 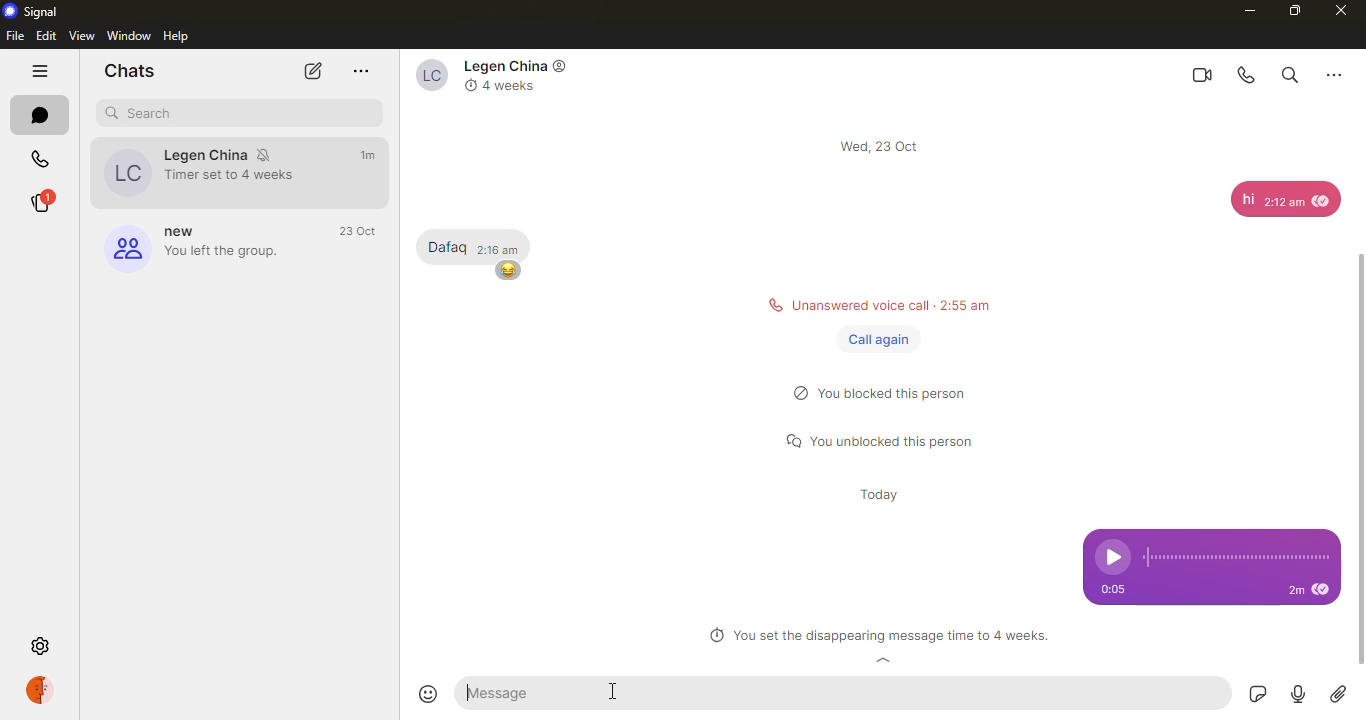 I want to click on window, so click(x=130, y=35).